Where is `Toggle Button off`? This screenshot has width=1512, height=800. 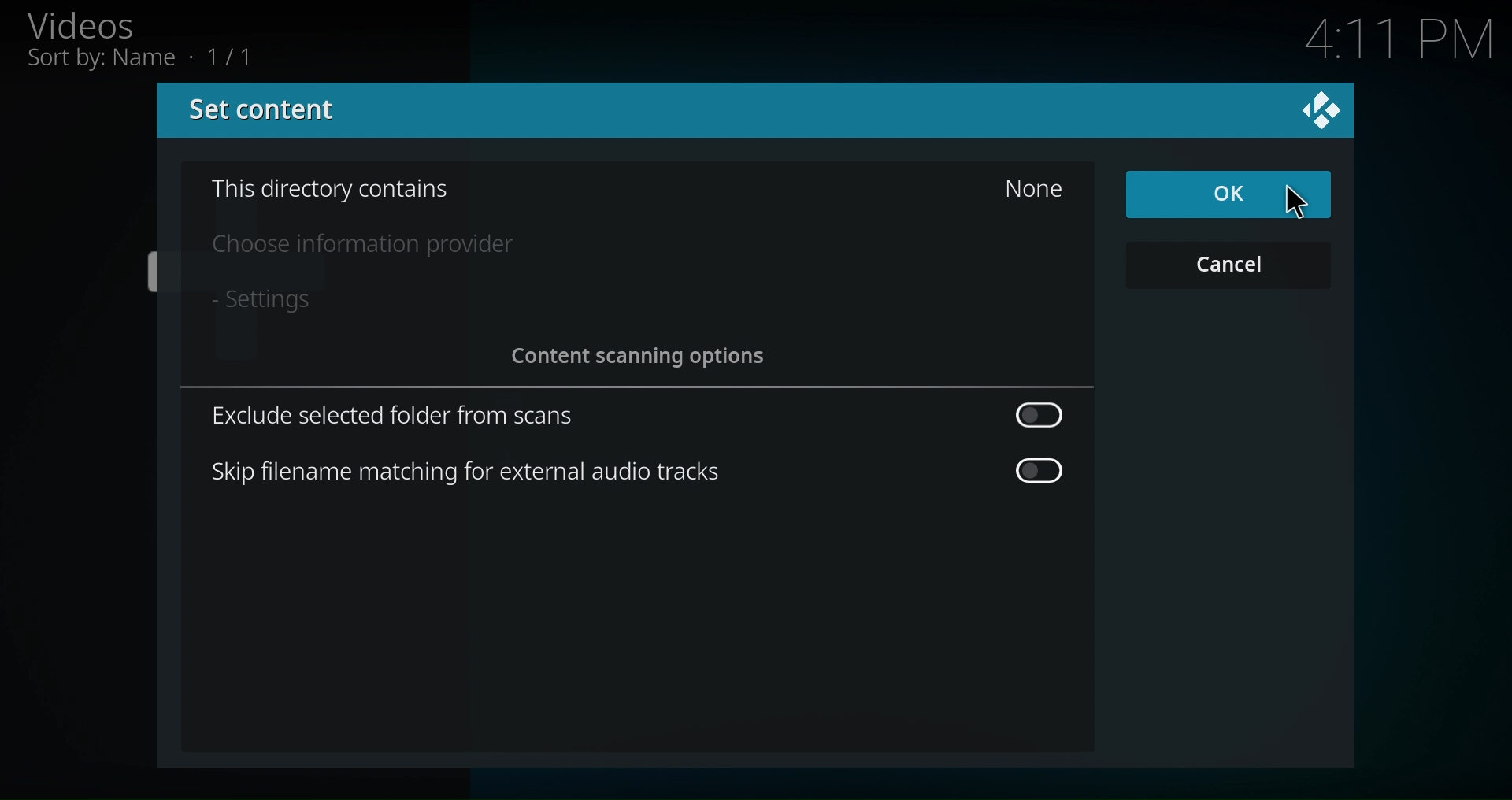 Toggle Button off is located at coordinates (1039, 470).